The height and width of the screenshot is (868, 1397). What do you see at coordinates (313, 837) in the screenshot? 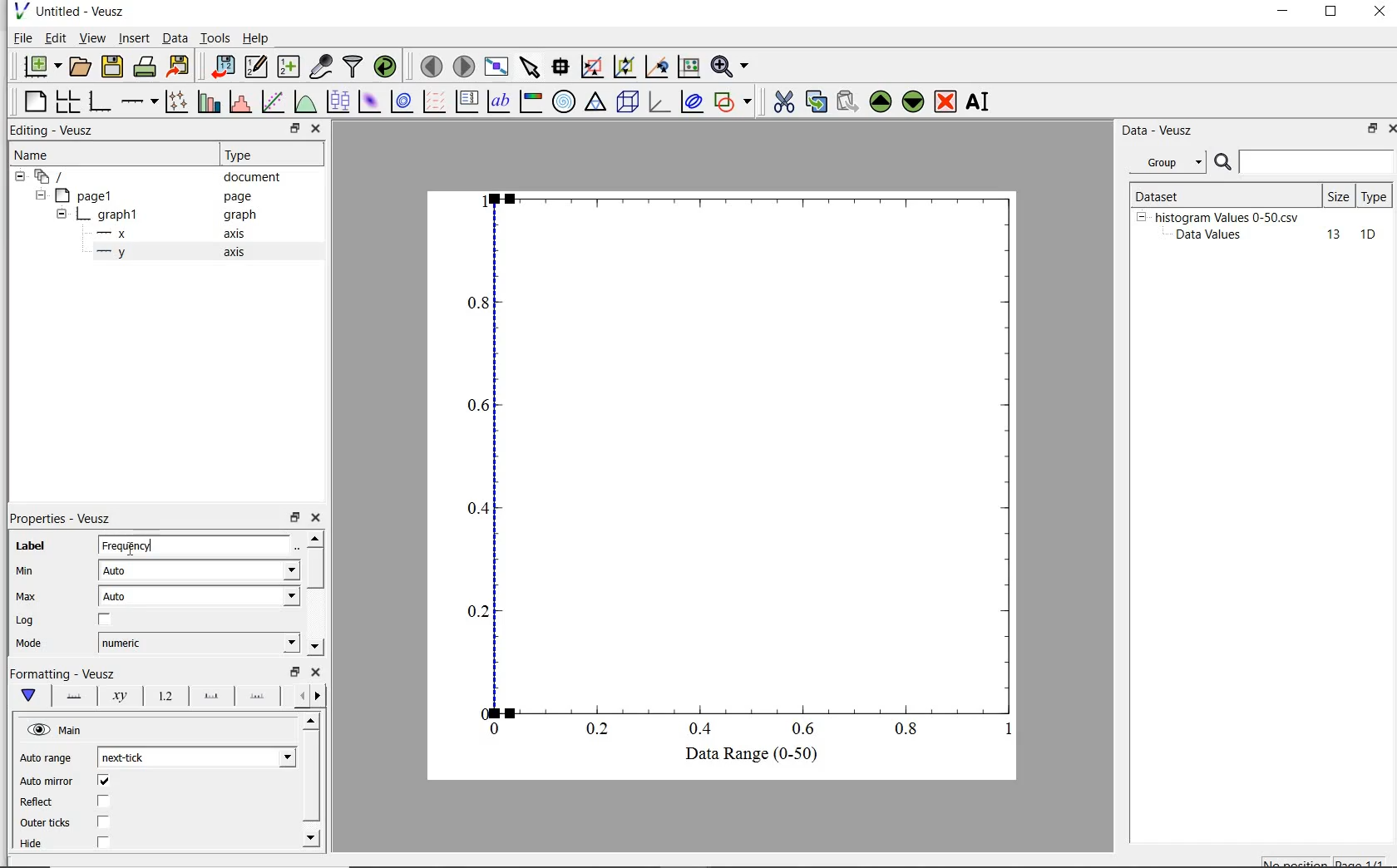
I see `move down` at bounding box center [313, 837].